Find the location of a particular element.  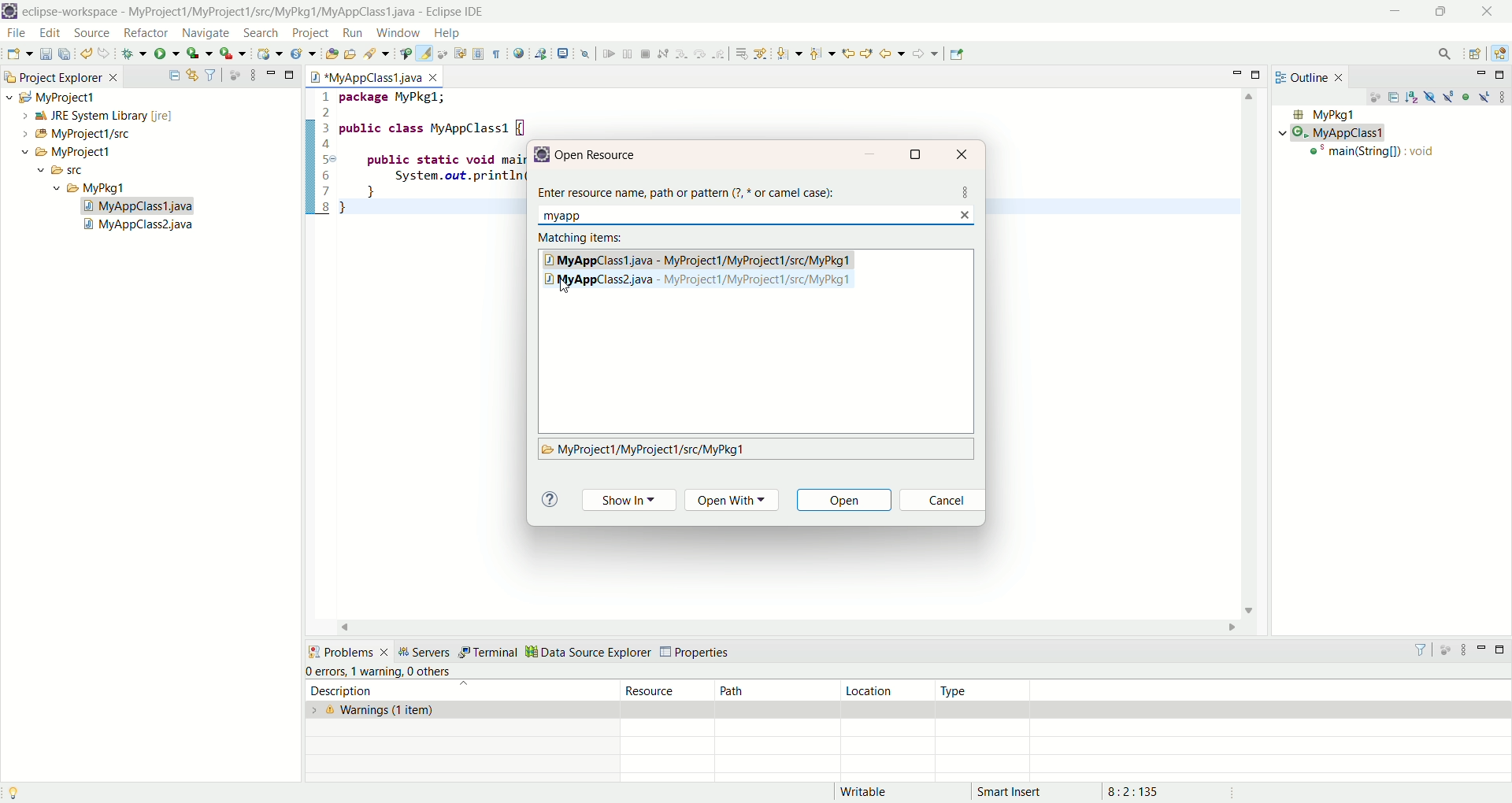

back is located at coordinates (892, 53).